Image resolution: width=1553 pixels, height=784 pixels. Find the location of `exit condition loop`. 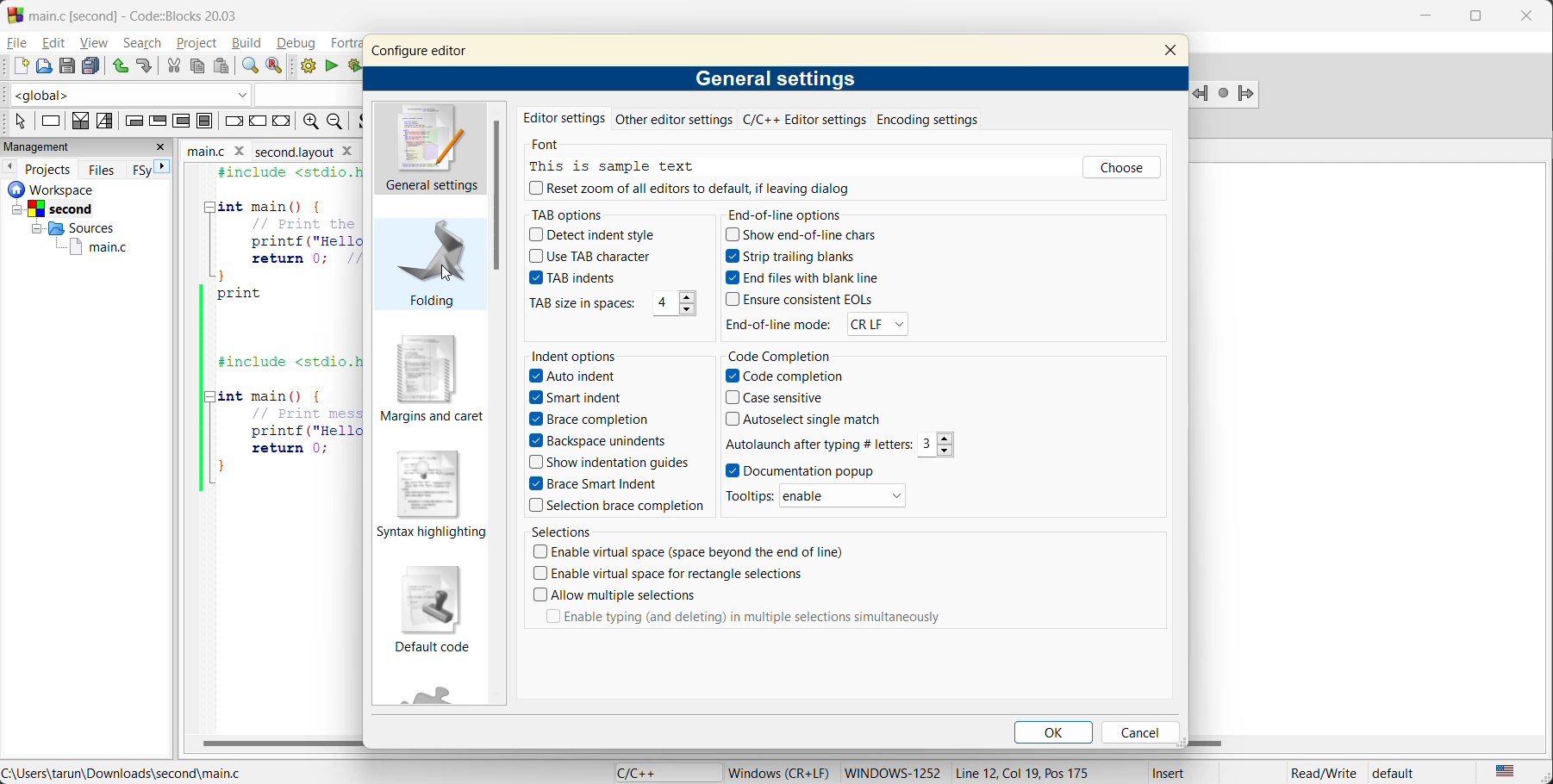

exit condition loop is located at coordinates (155, 121).